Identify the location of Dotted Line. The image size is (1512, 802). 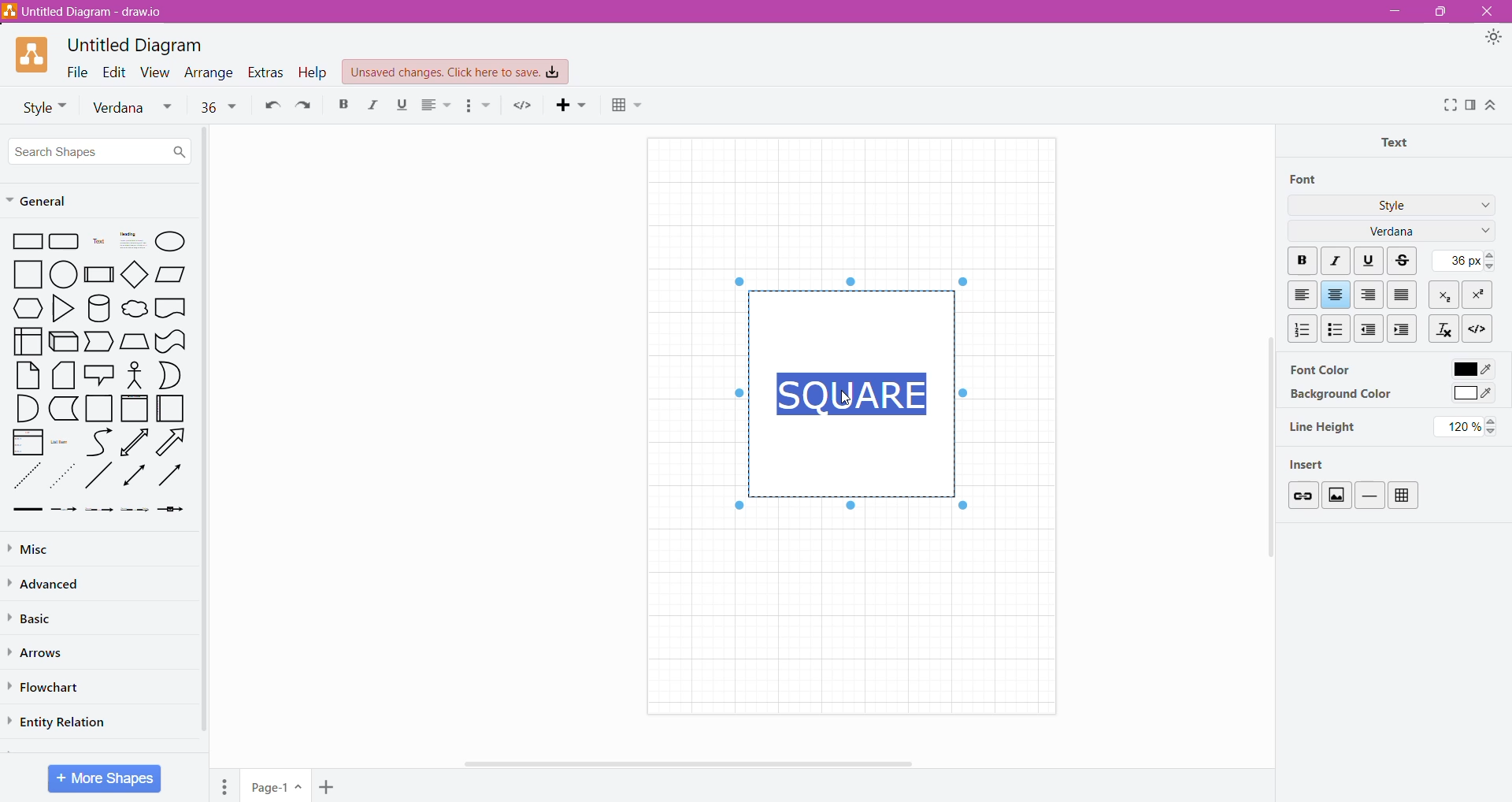
(25, 477).